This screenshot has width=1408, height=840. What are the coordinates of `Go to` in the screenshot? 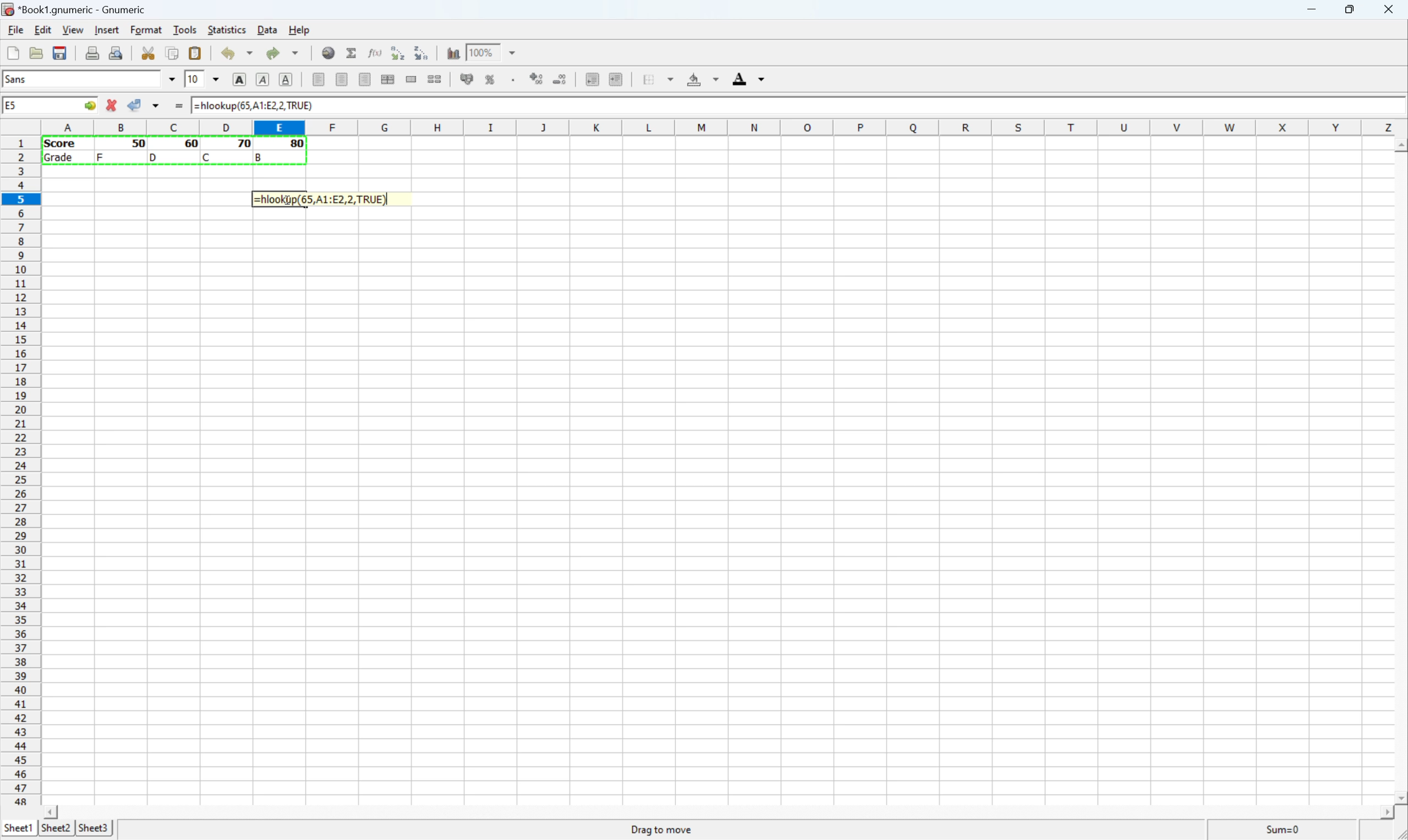 It's located at (88, 105).